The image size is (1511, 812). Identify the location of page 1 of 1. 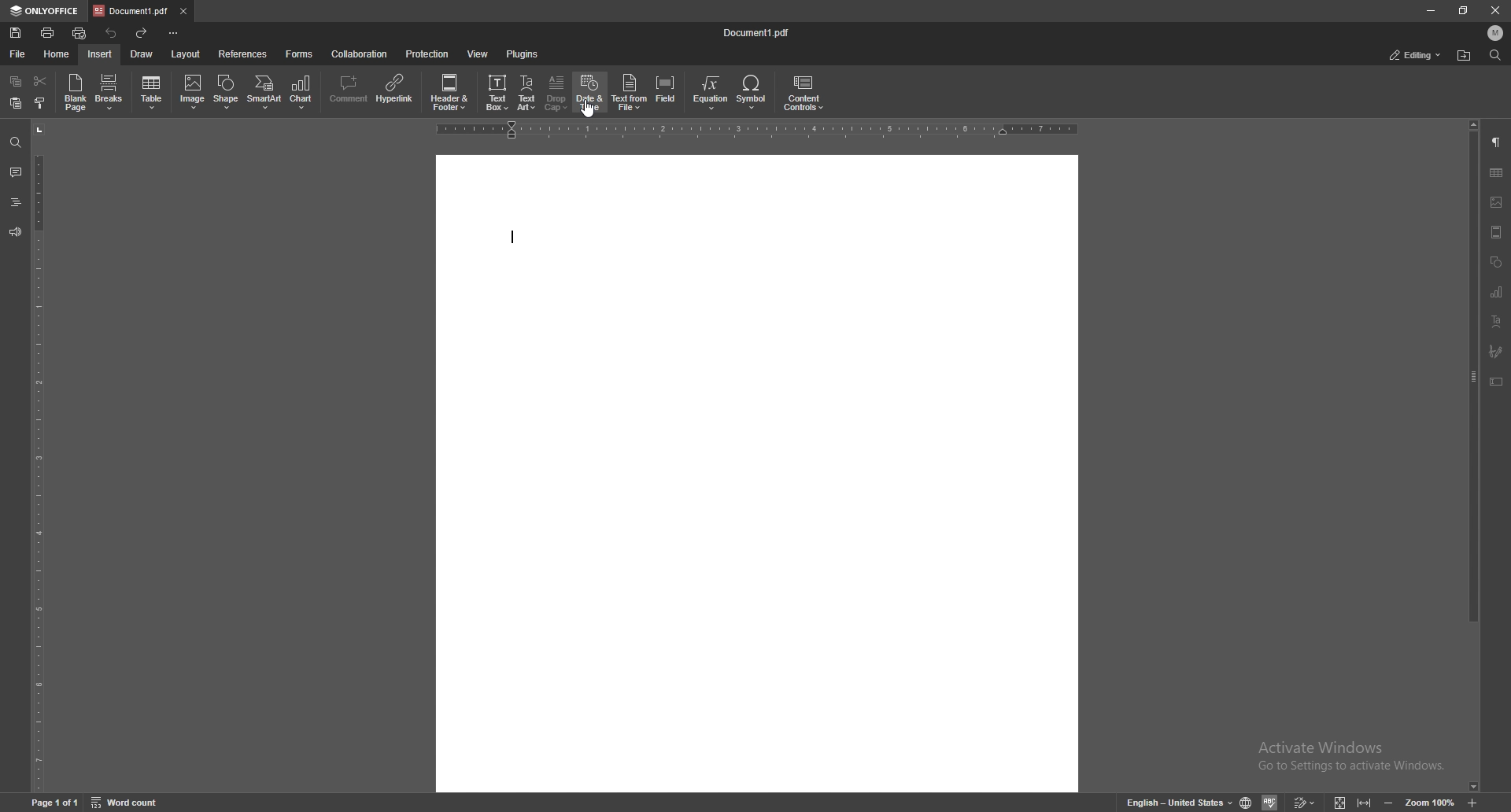
(54, 803).